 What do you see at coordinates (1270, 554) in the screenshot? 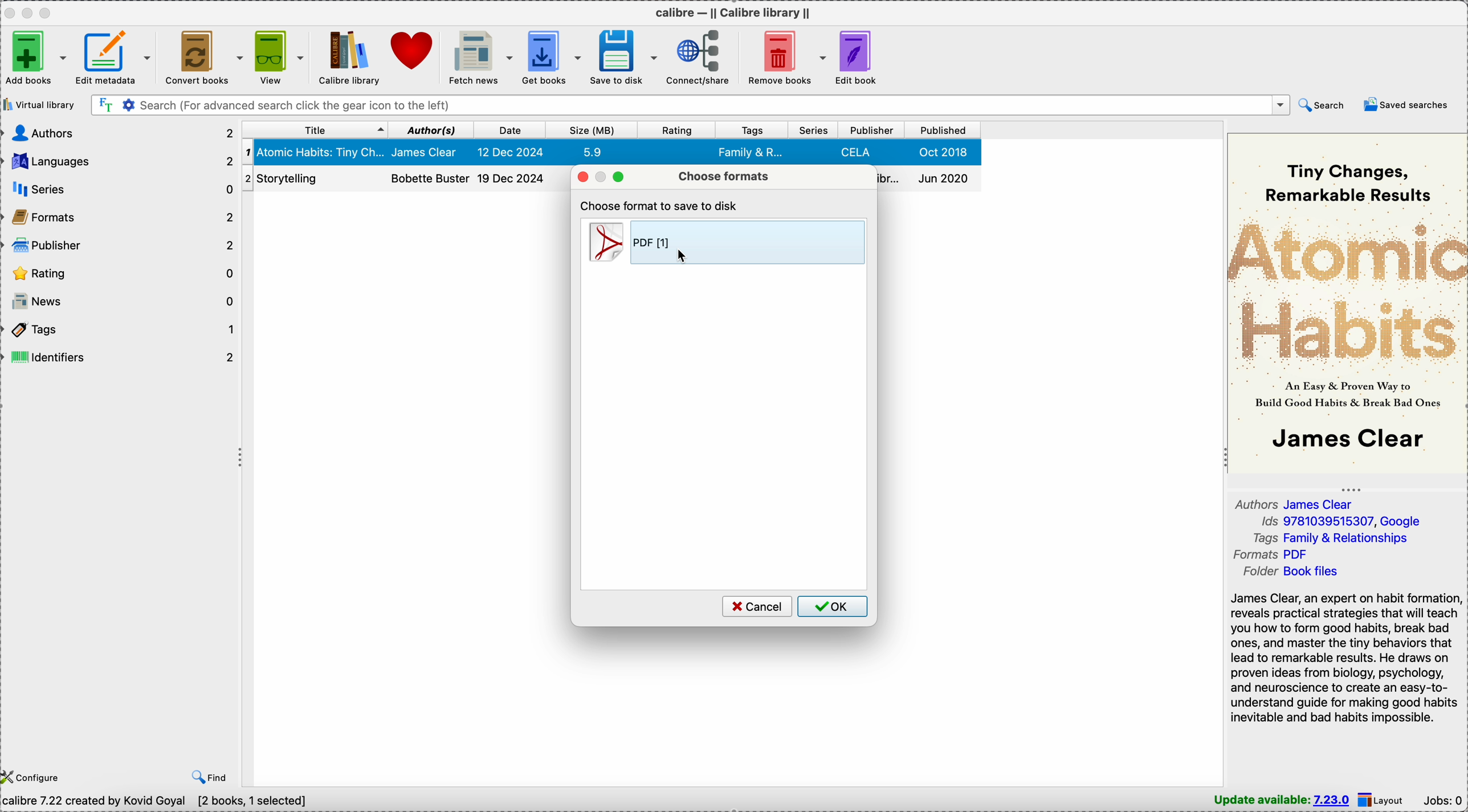
I see `formats PDF` at bounding box center [1270, 554].